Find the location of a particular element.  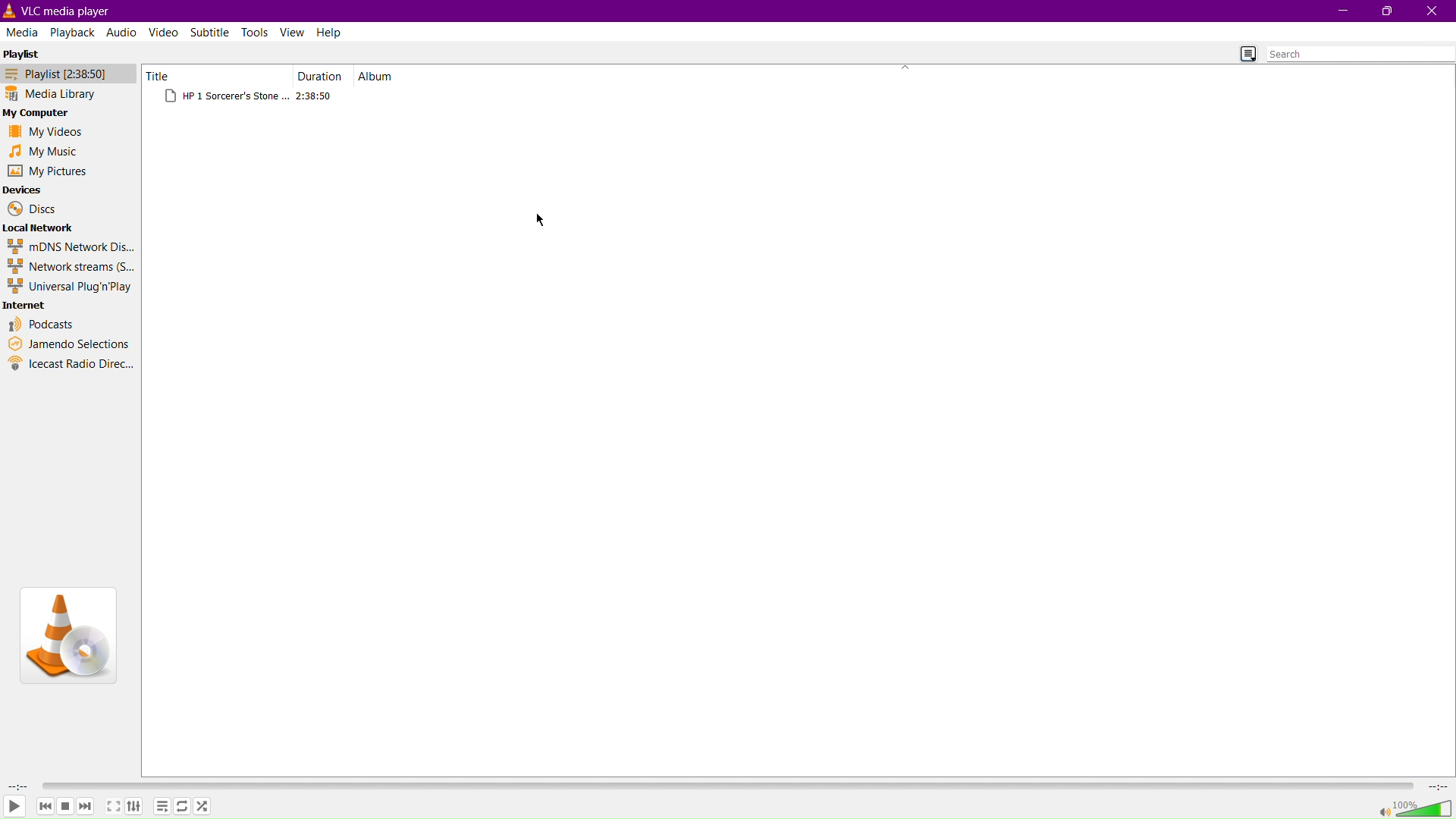

Play is located at coordinates (14, 808).